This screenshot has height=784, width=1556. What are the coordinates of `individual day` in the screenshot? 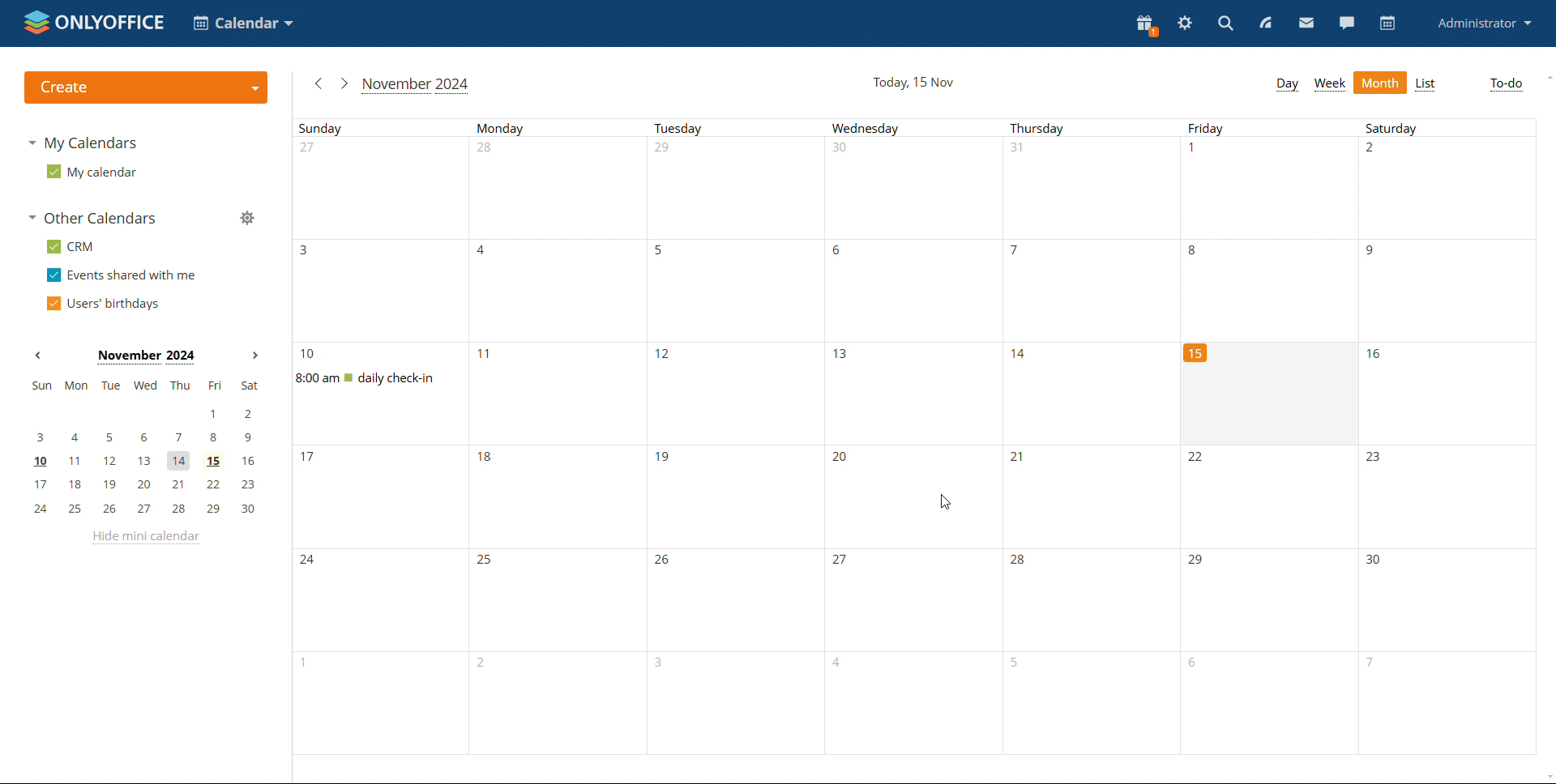 It's located at (914, 128).